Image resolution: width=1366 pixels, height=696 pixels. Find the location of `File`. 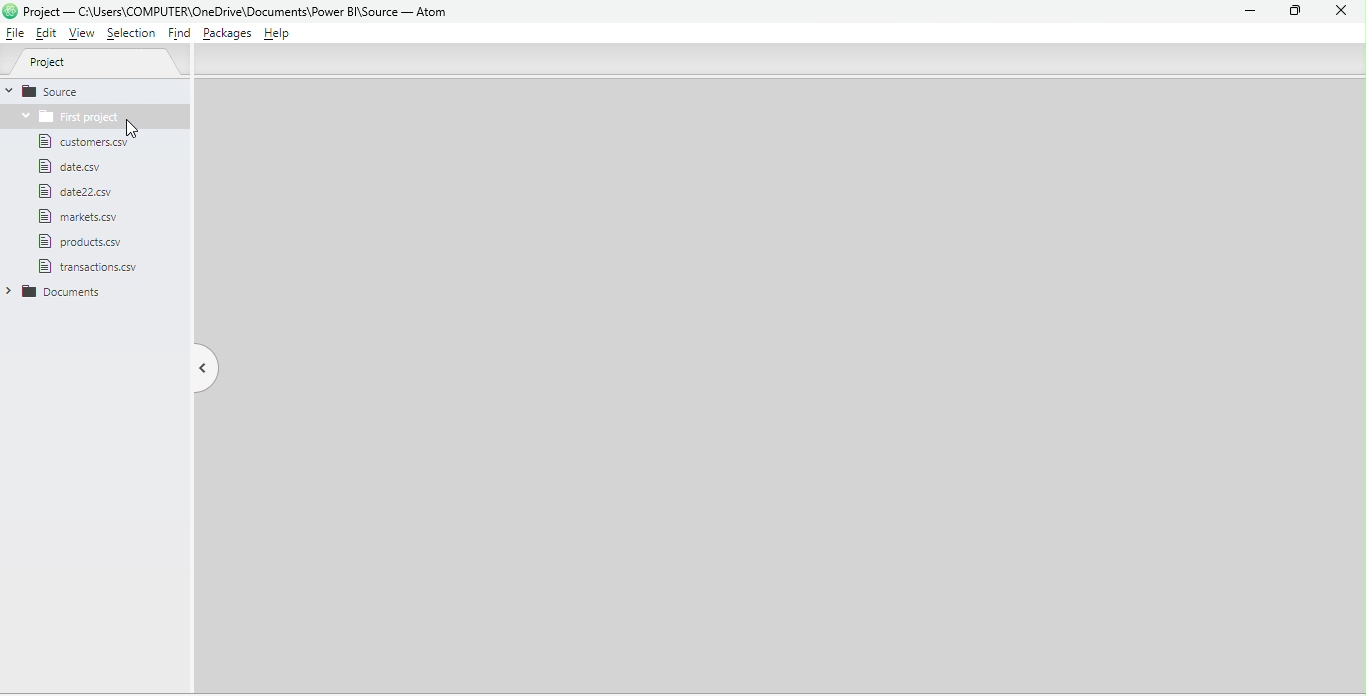

File is located at coordinates (80, 191).